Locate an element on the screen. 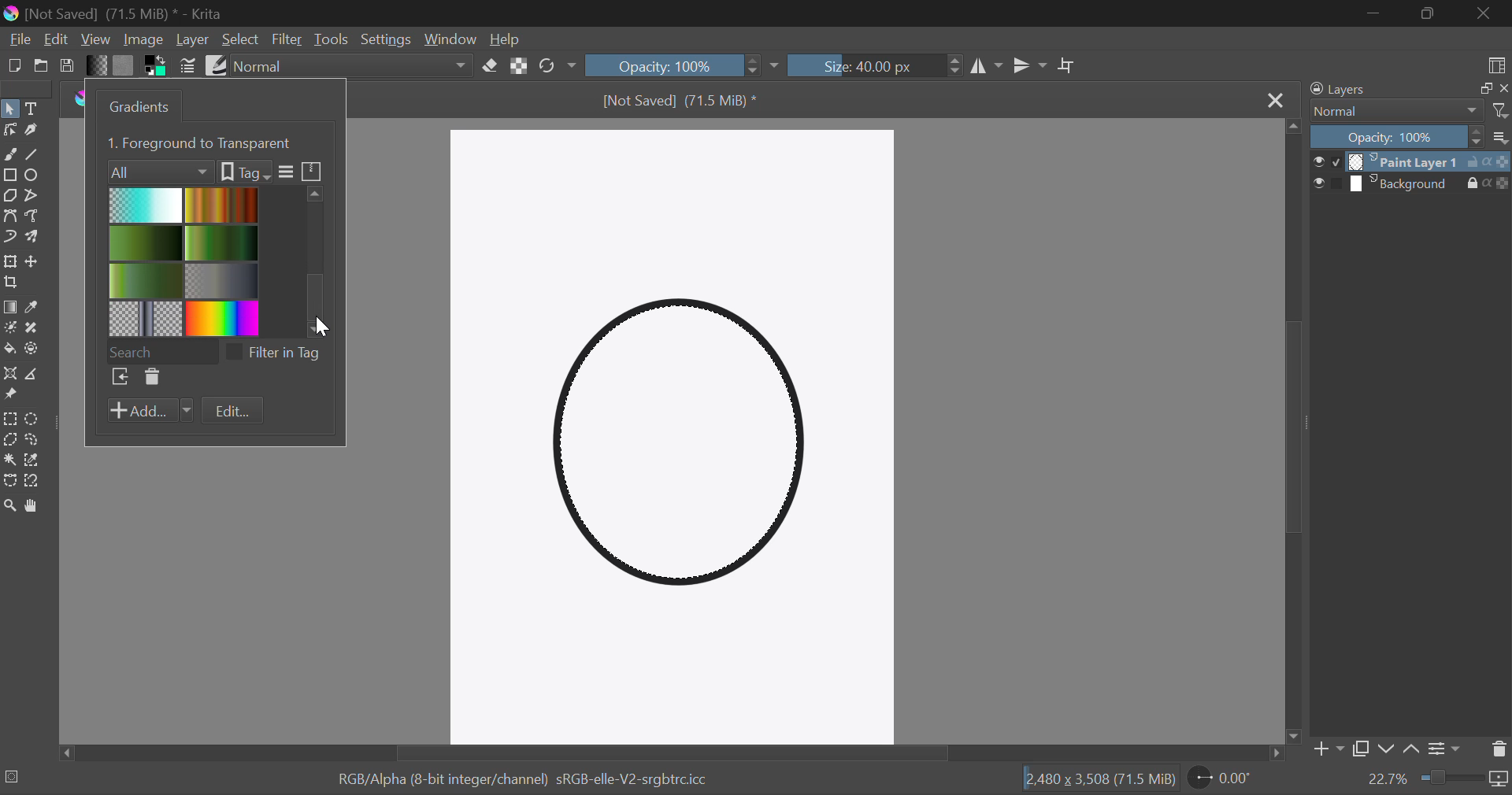 This screenshot has width=1512, height=795. tags is located at coordinates (246, 172).